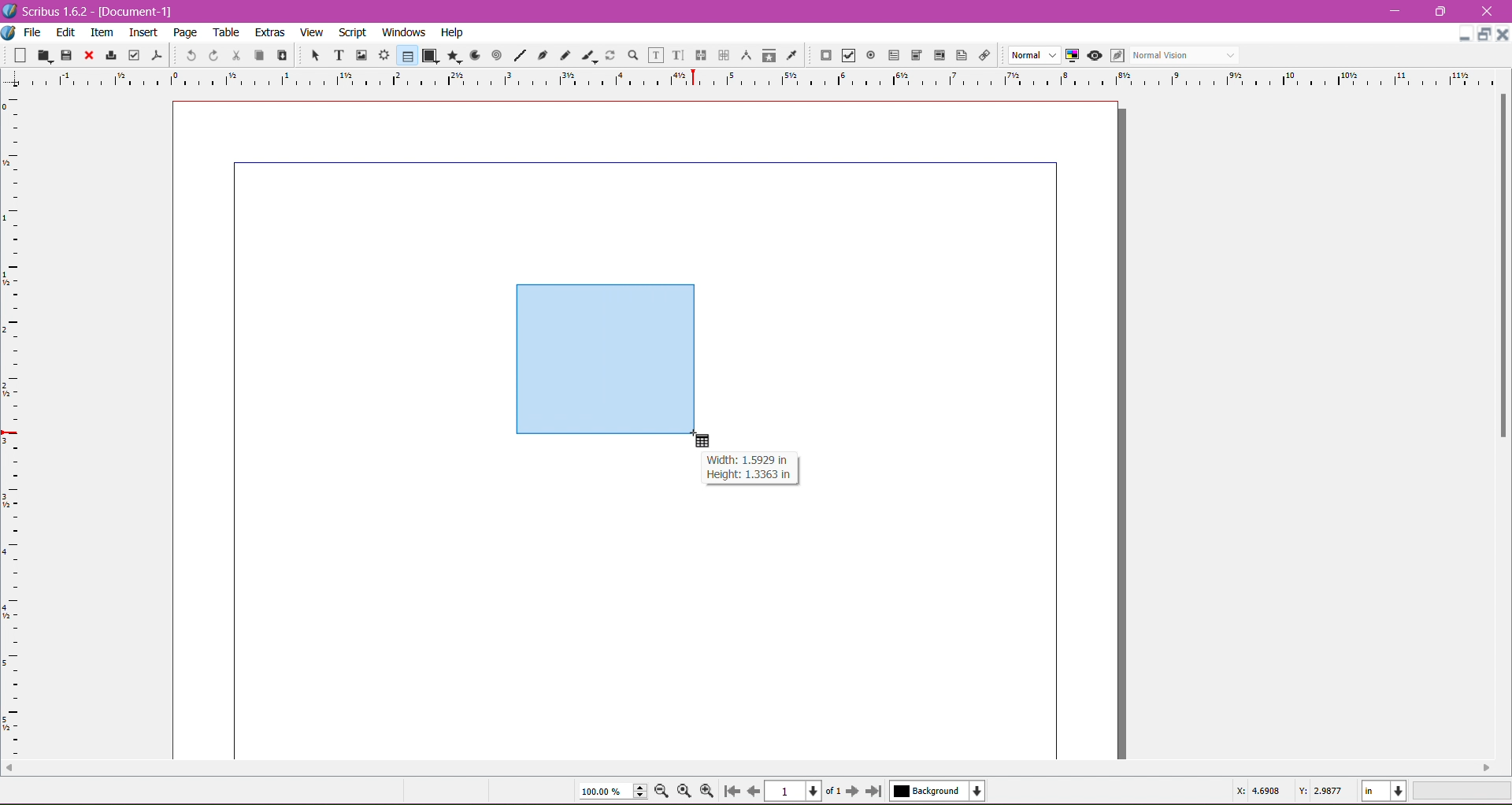  I want to click on Close, so click(87, 56).